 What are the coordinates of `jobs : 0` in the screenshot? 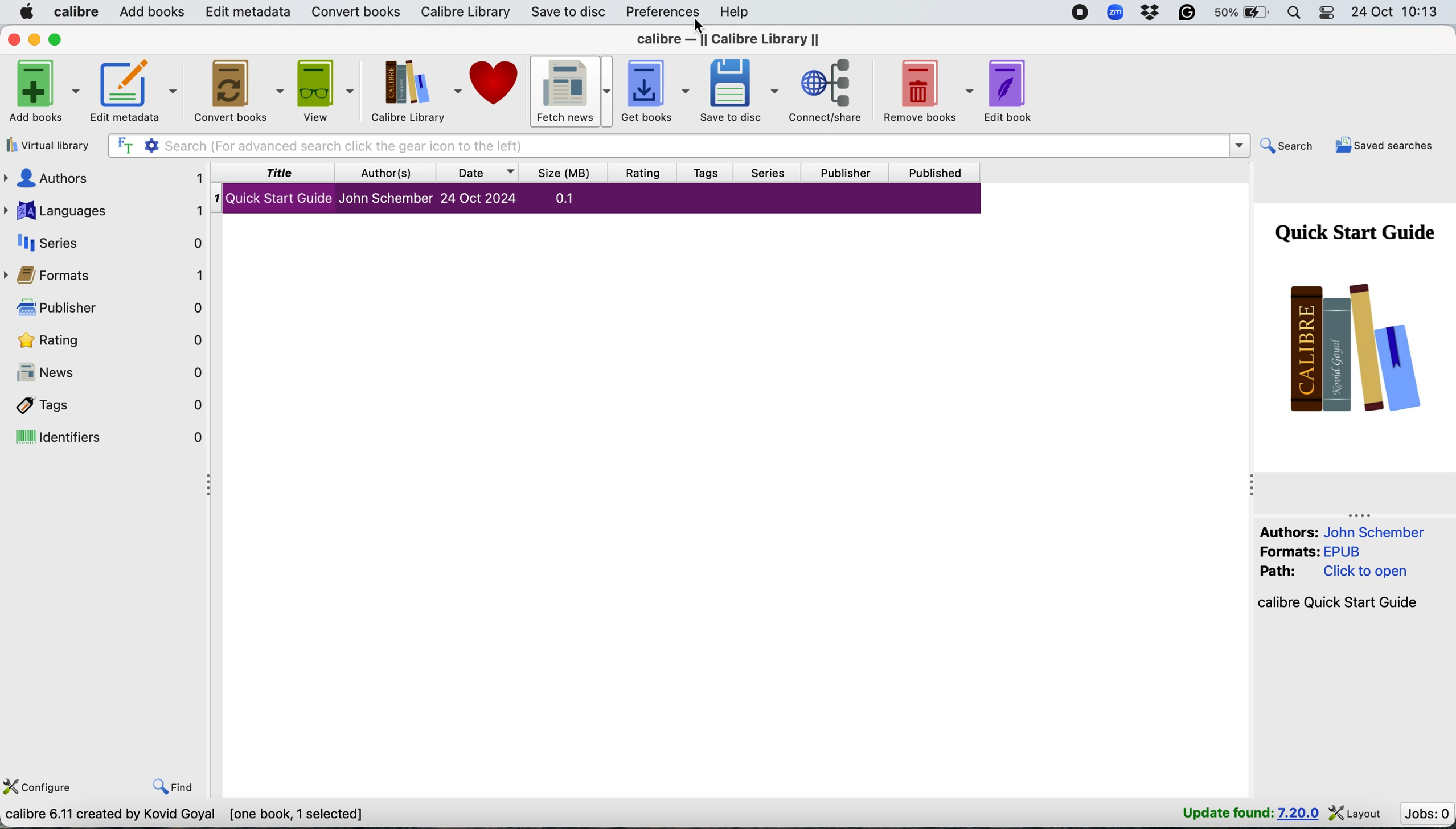 It's located at (1426, 813).